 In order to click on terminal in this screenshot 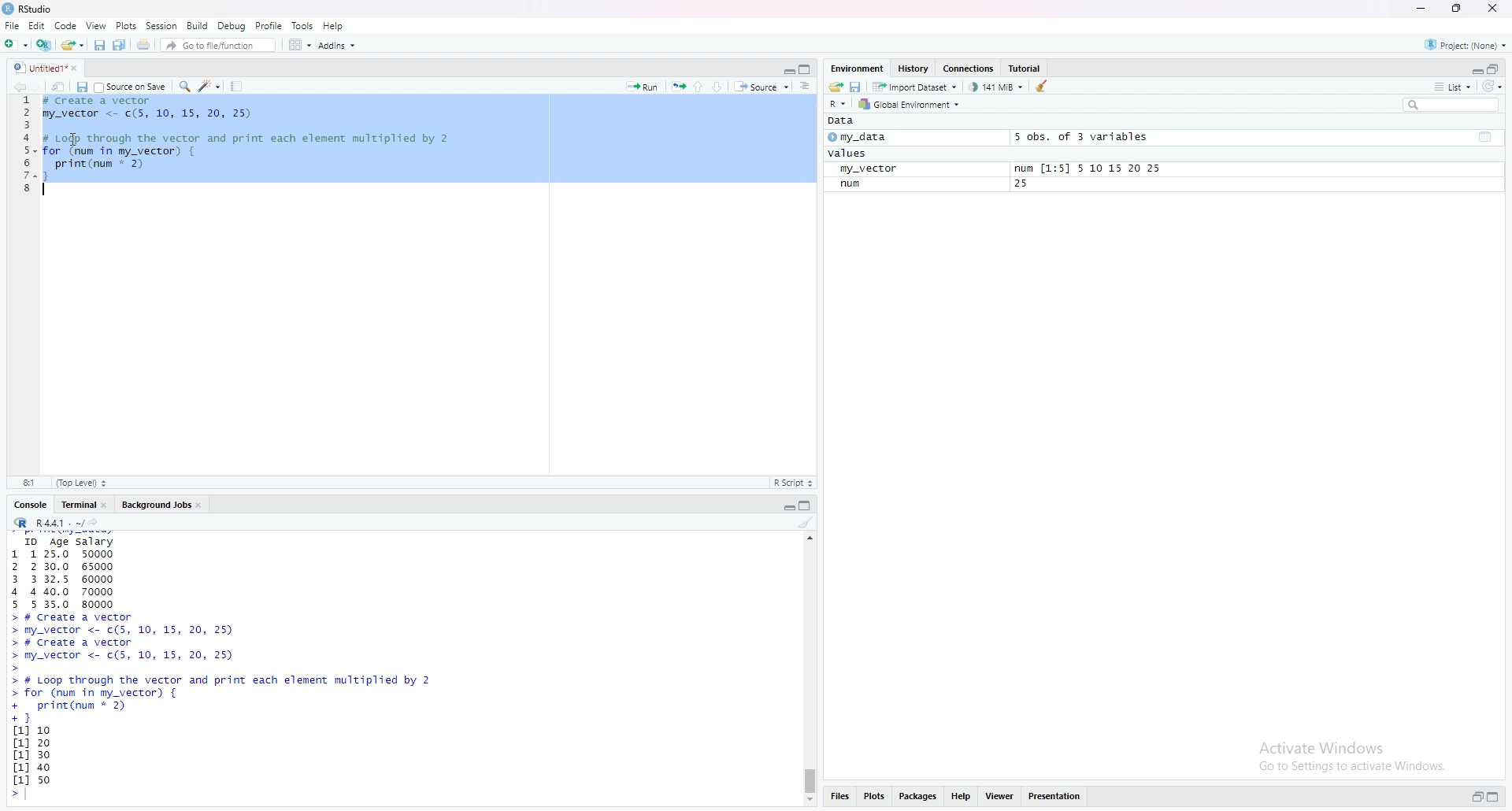, I will do `click(82, 505)`.